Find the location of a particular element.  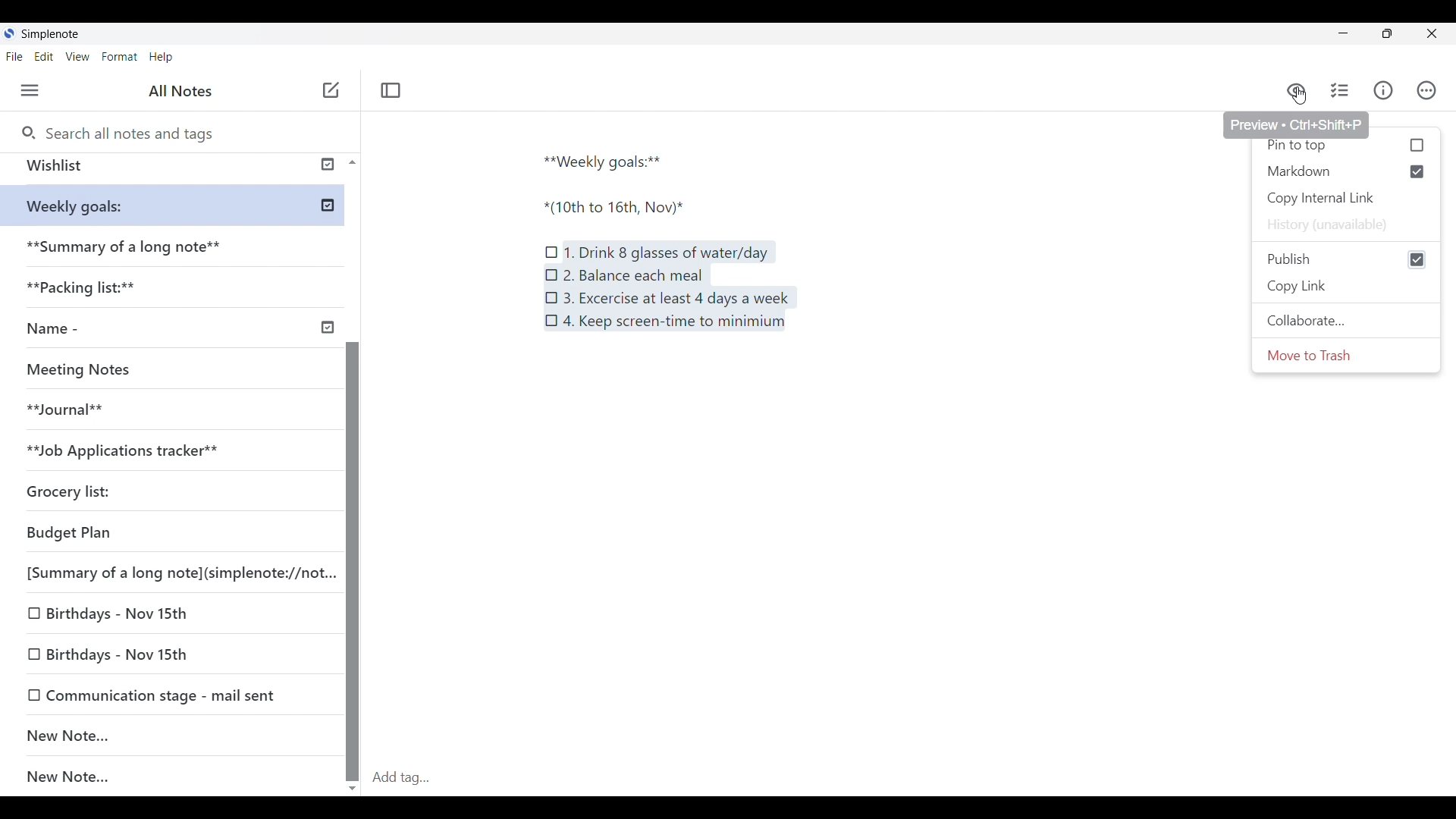

visibility is located at coordinates (1296, 86).